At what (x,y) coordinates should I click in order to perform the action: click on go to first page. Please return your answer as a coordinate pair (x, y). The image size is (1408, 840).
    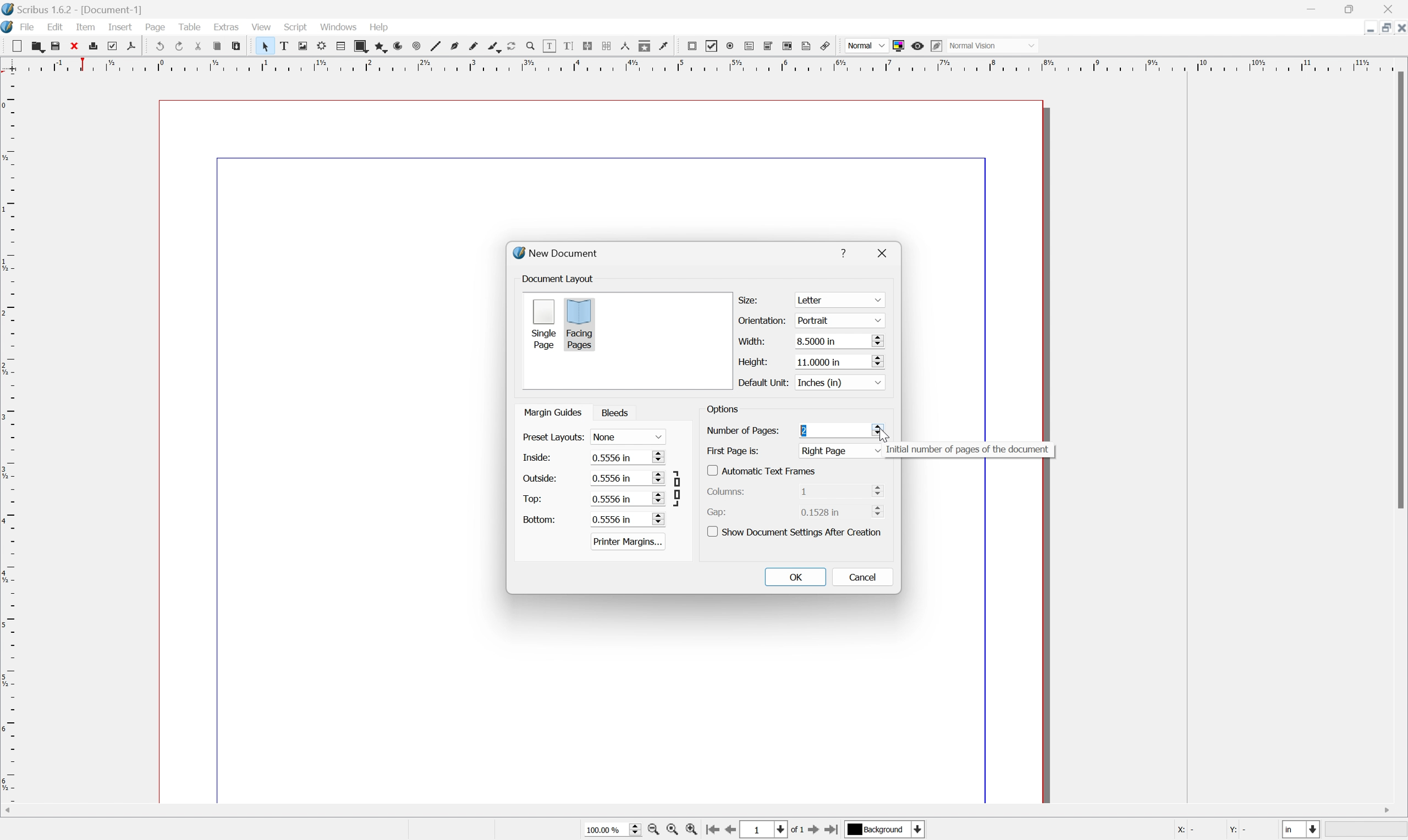
    Looking at the image, I should click on (714, 831).